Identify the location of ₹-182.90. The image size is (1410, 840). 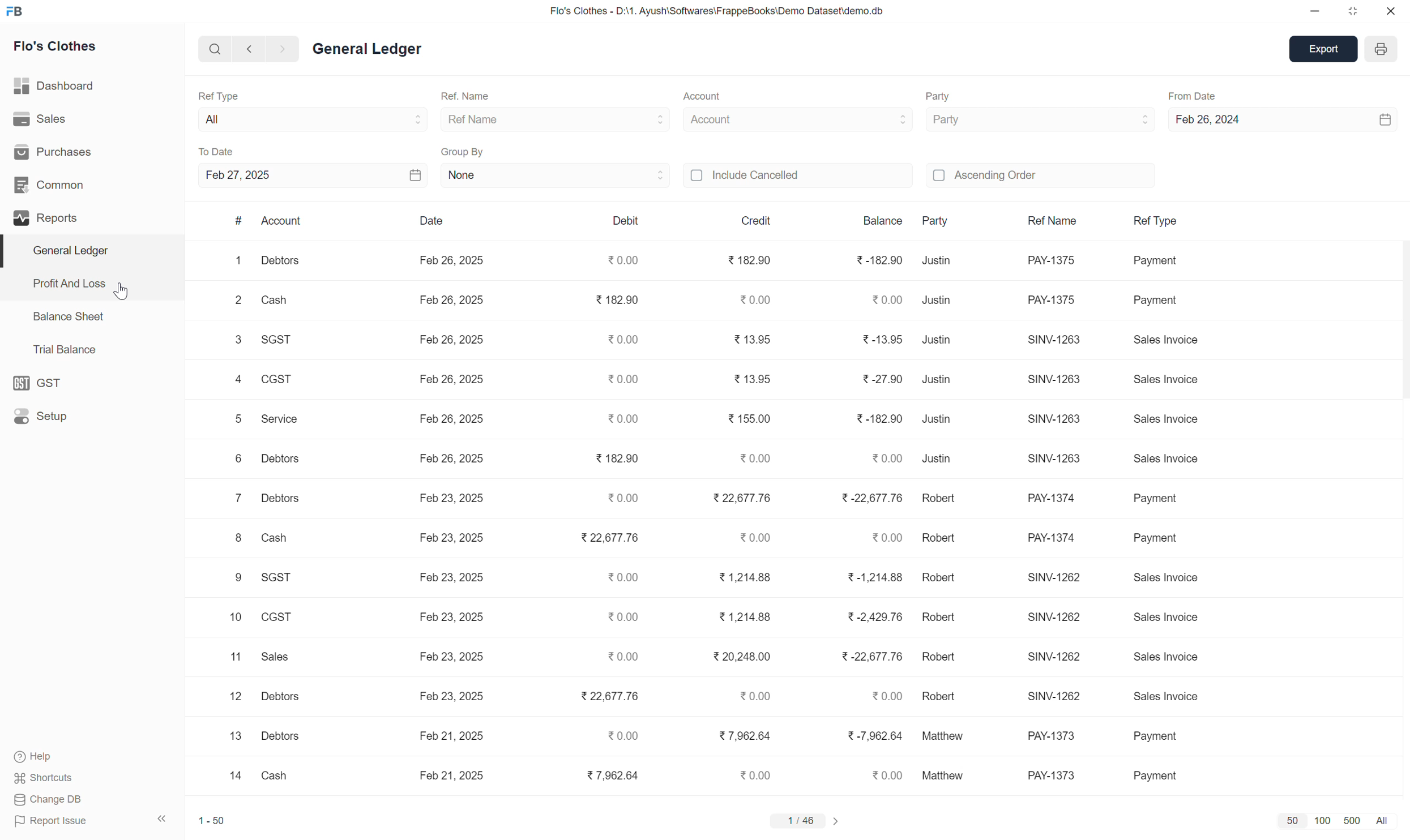
(881, 417).